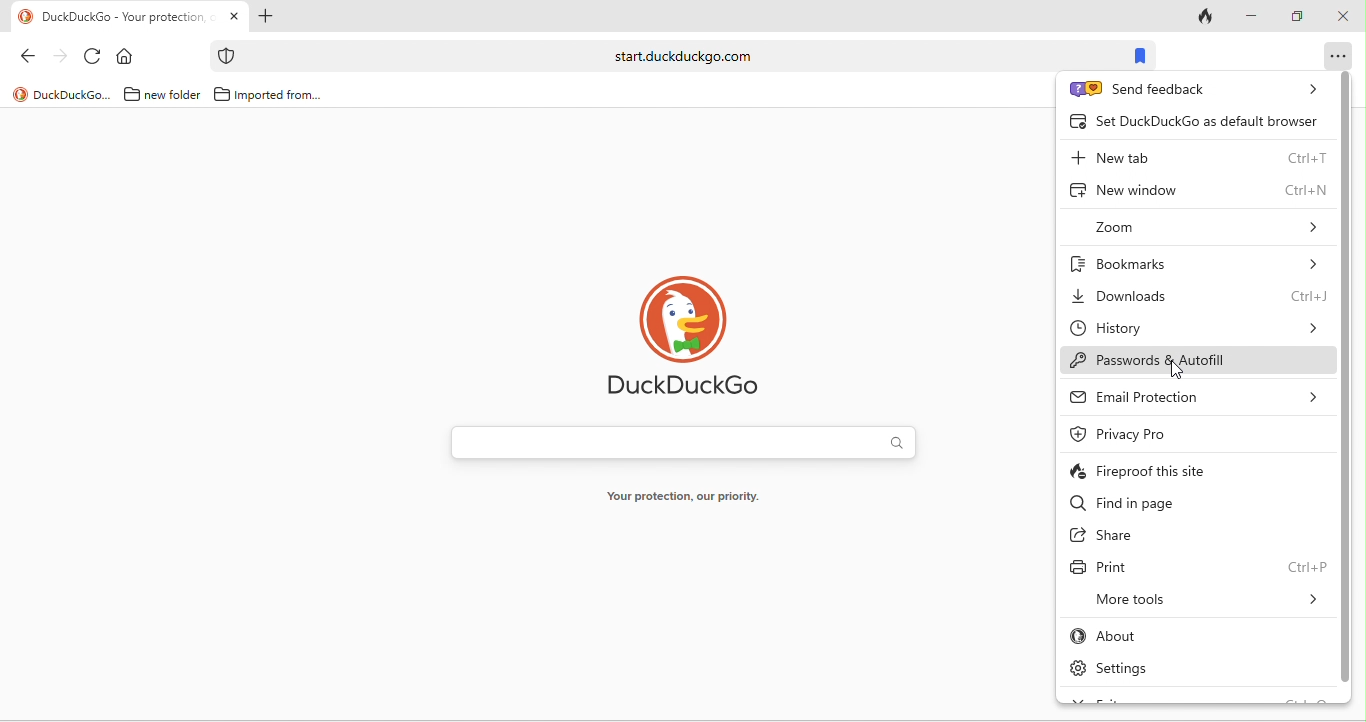 The width and height of the screenshot is (1366, 722). What do you see at coordinates (1193, 333) in the screenshot?
I see `history` at bounding box center [1193, 333].